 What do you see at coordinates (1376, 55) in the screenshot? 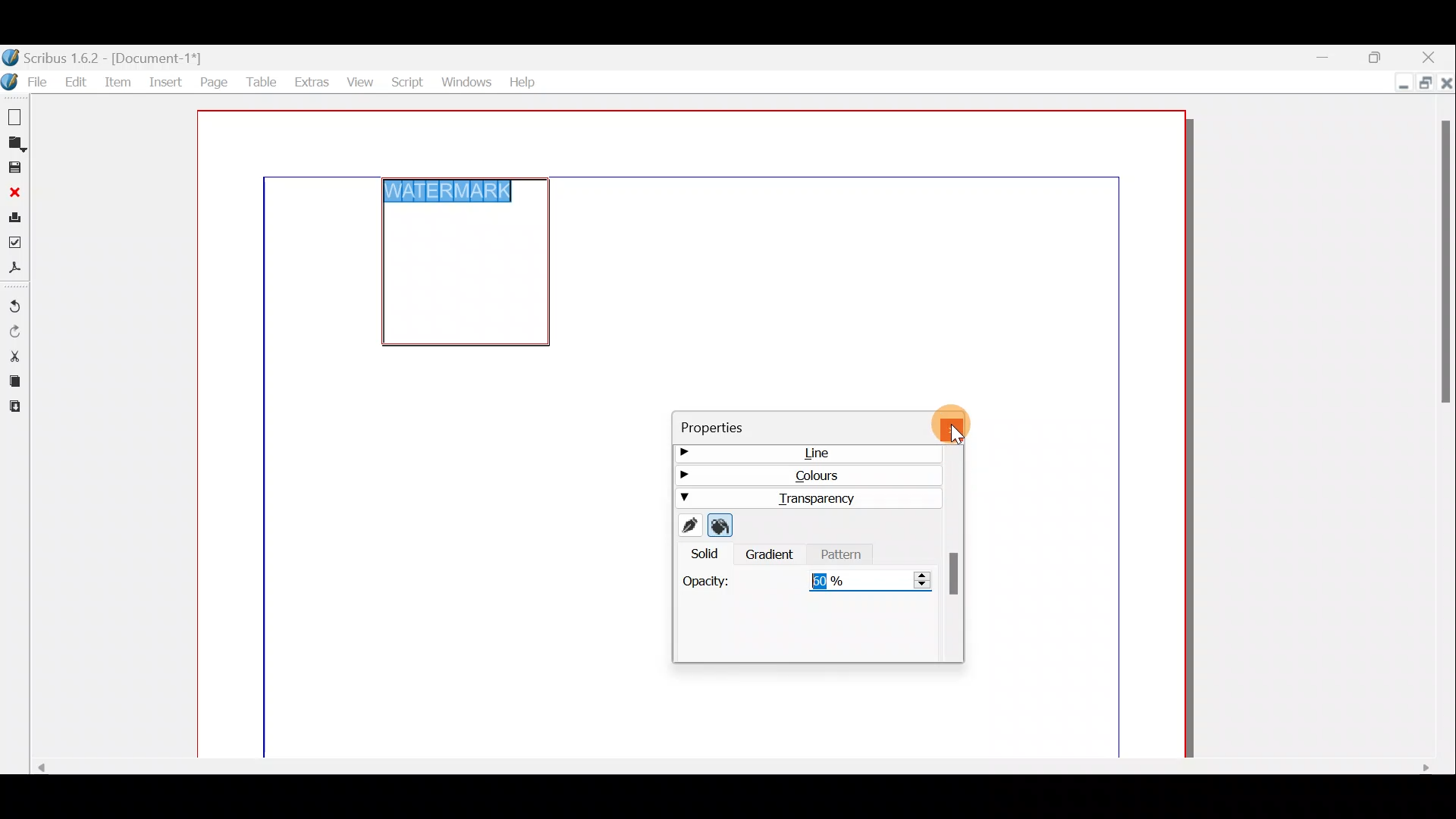
I see `Maximise` at bounding box center [1376, 55].